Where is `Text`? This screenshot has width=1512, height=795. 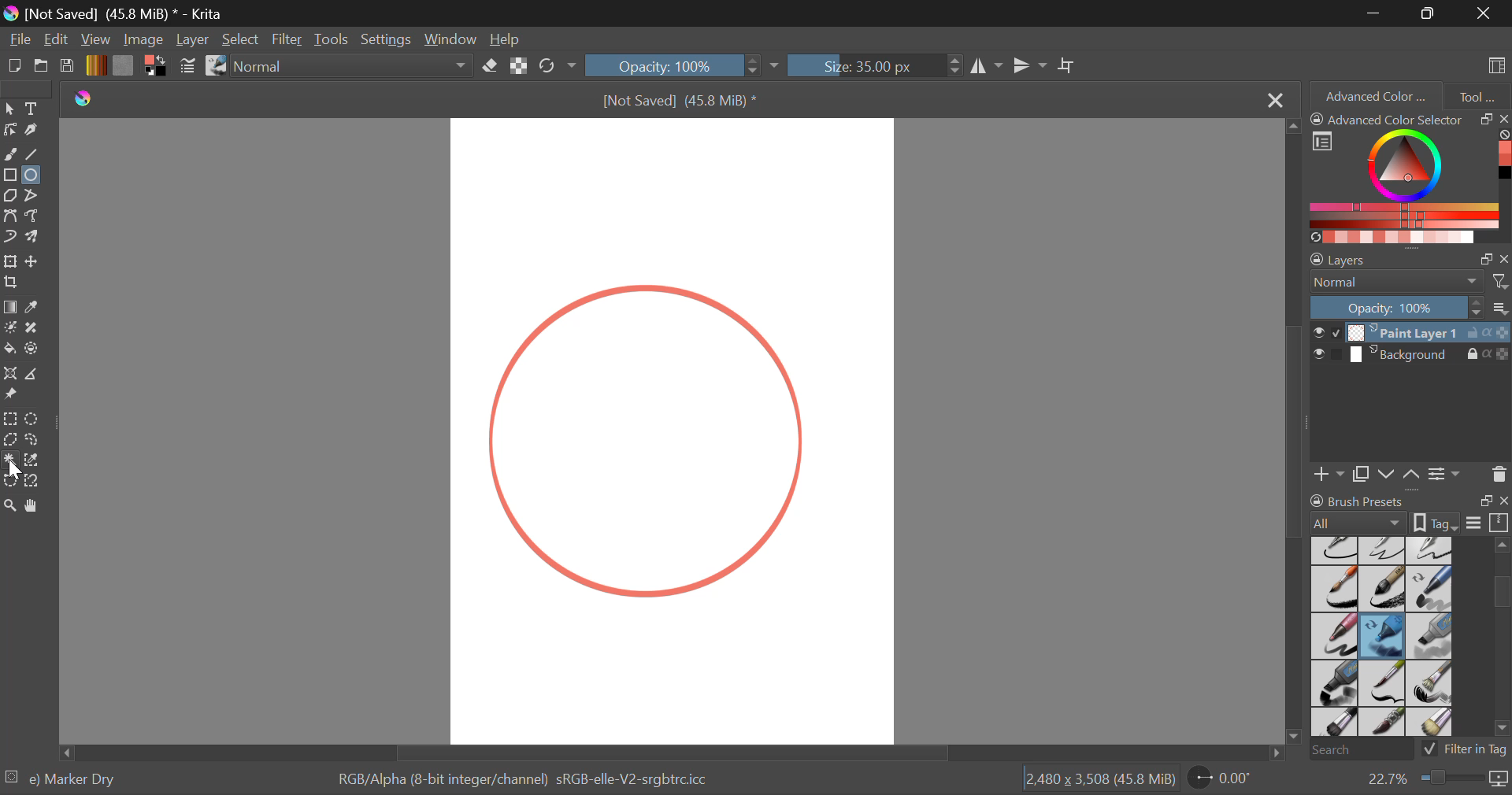 Text is located at coordinates (34, 108).